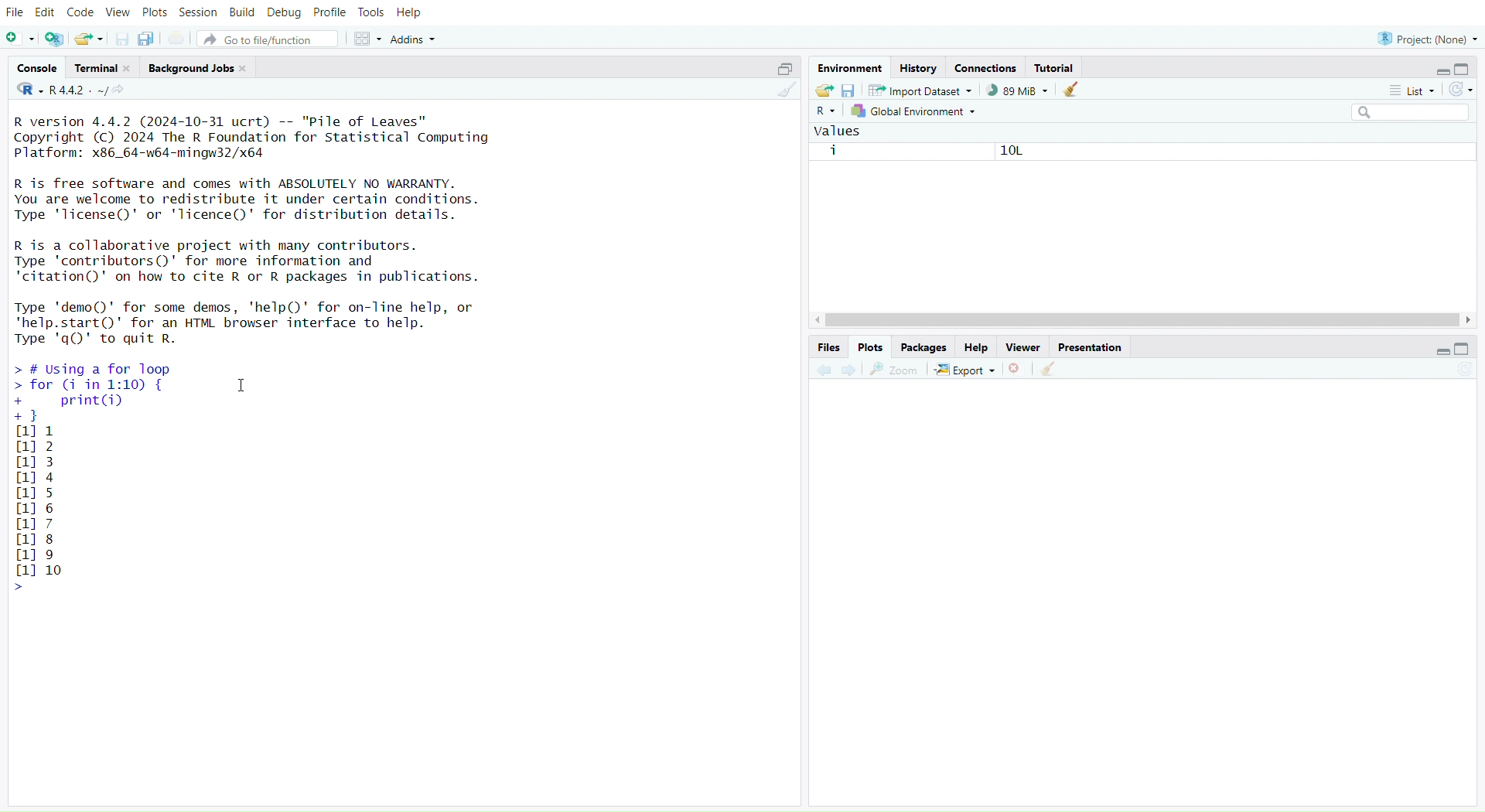  Describe the element at coordinates (925, 348) in the screenshot. I see `packages` at that location.